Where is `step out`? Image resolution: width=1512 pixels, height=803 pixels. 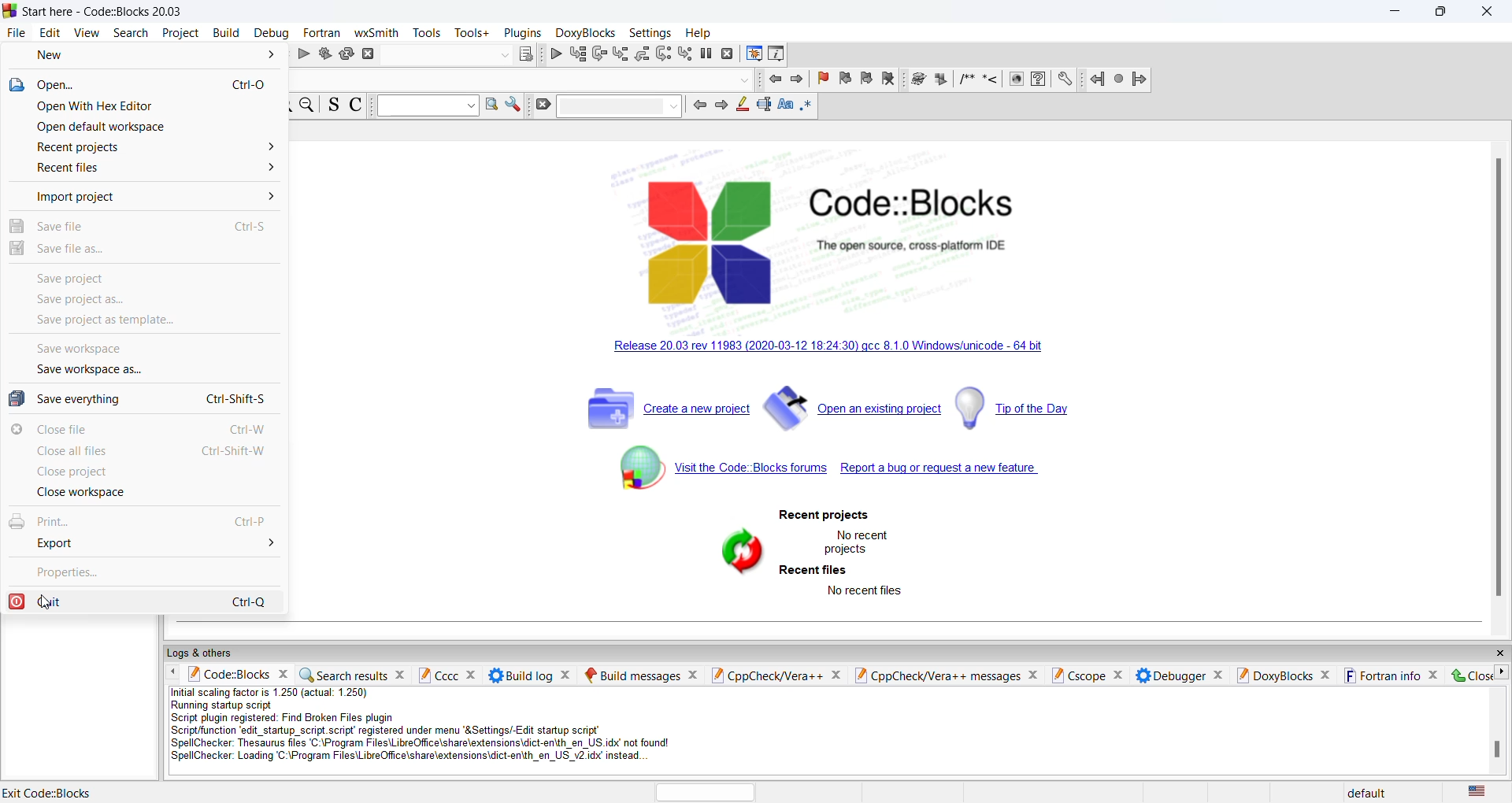
step out is located at coordinates (618, 54).